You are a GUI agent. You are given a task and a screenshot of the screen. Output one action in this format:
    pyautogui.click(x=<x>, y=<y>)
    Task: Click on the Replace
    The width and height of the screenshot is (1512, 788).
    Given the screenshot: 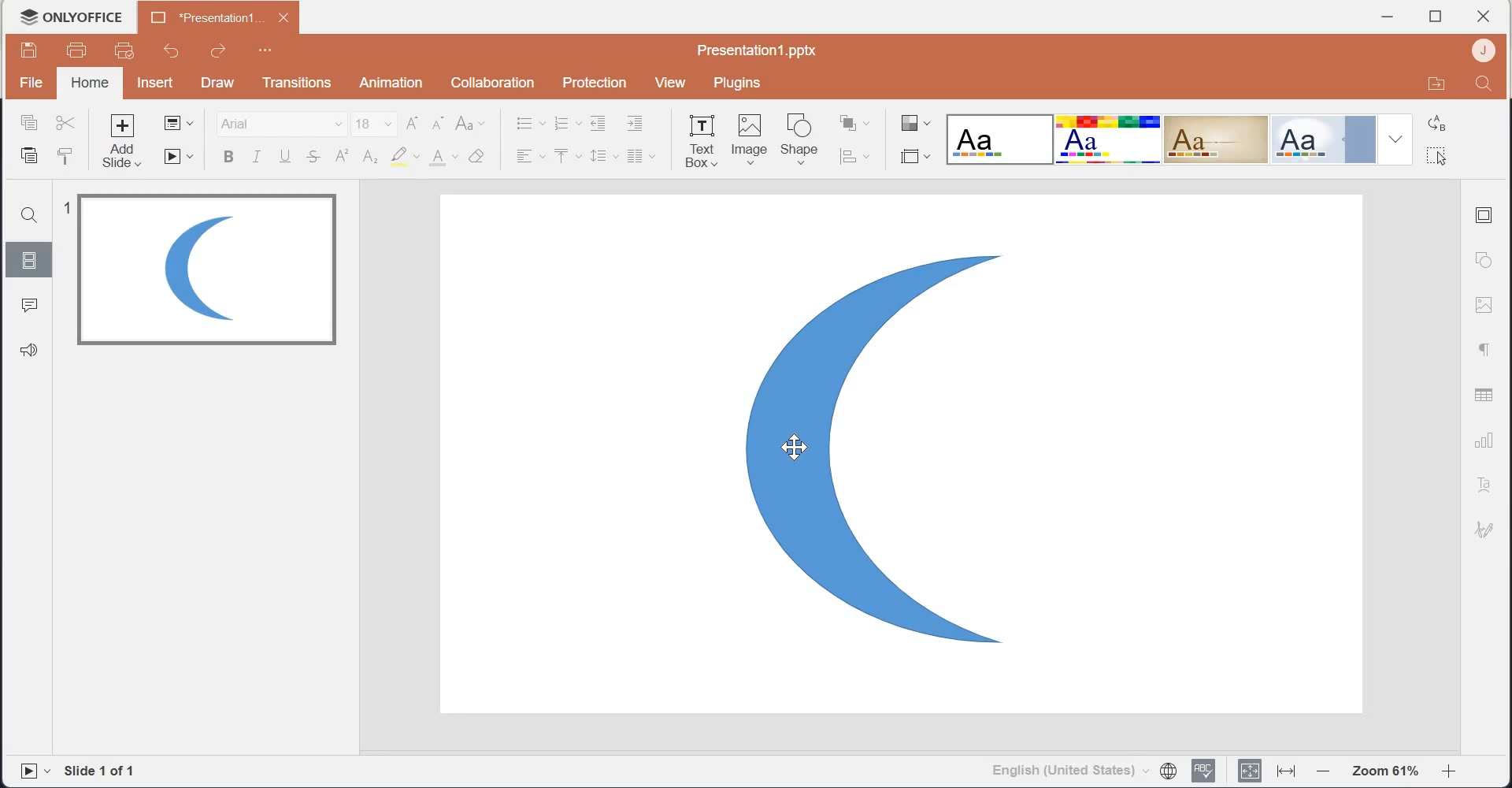 What is the action you would take?
    pyautogui.click(x=1441, y=121)
    